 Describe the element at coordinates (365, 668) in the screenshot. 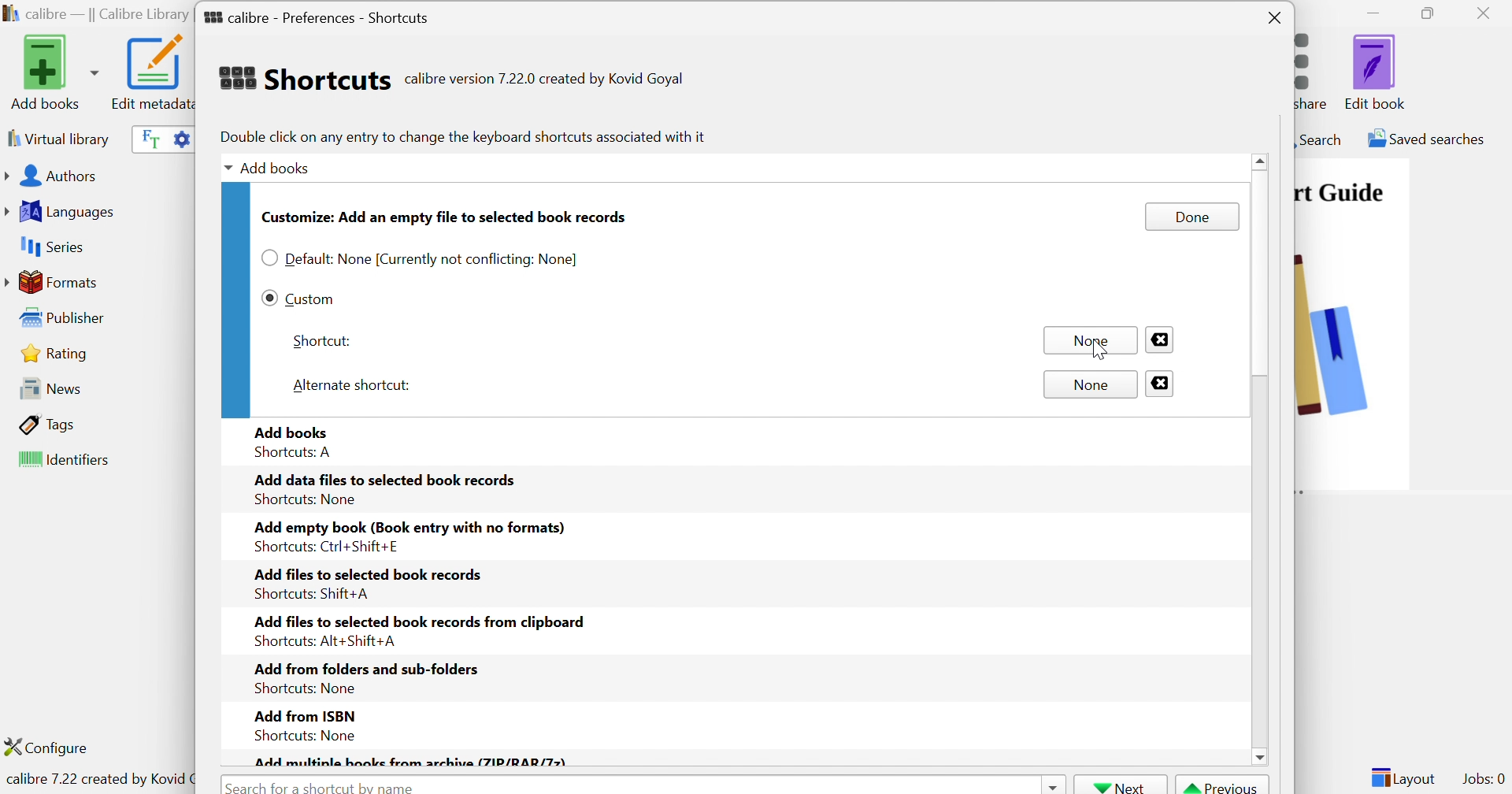

I see `Add from folders and sub-folders` at that location.